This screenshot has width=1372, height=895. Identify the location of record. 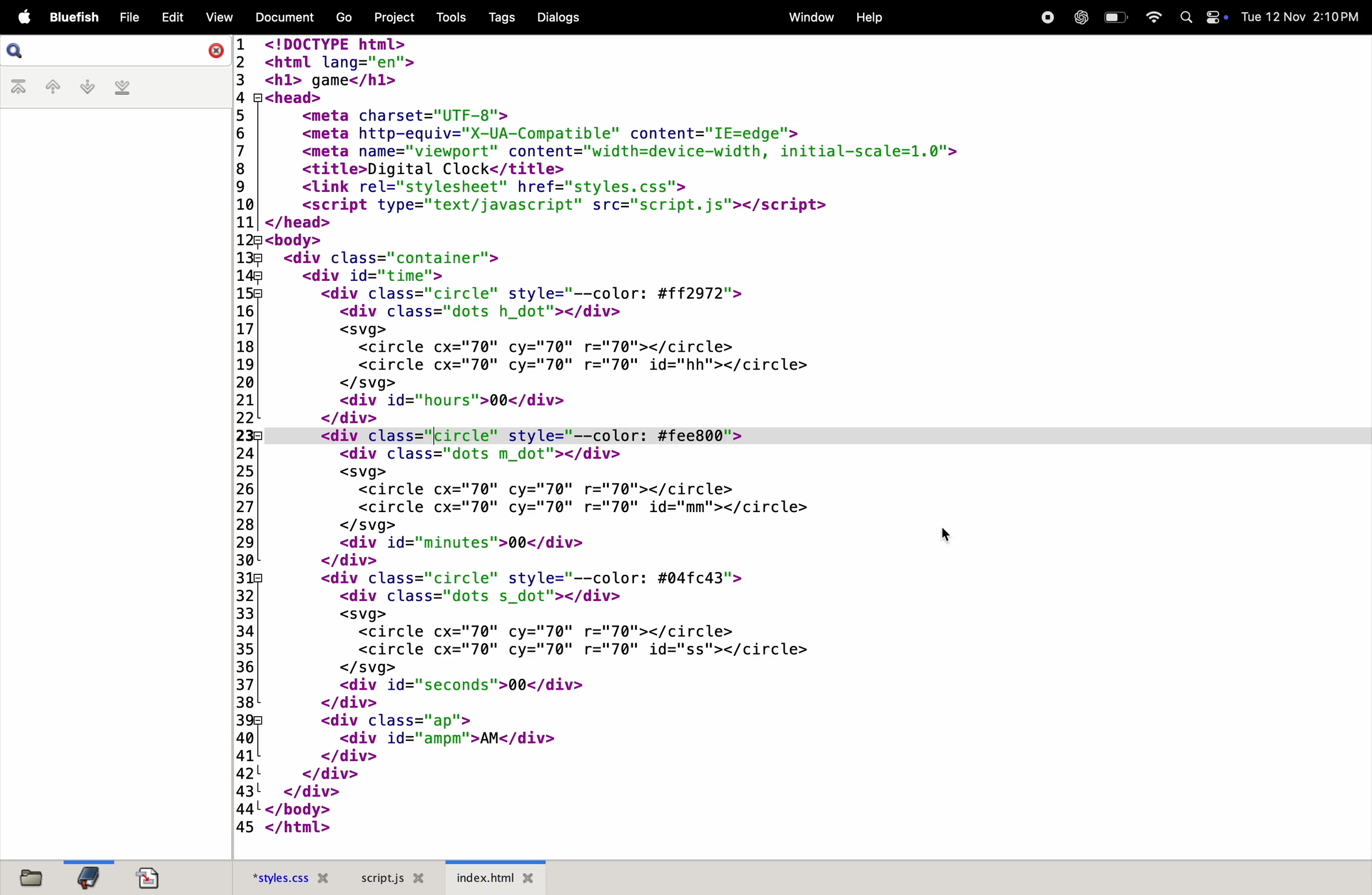
(1046, 17).